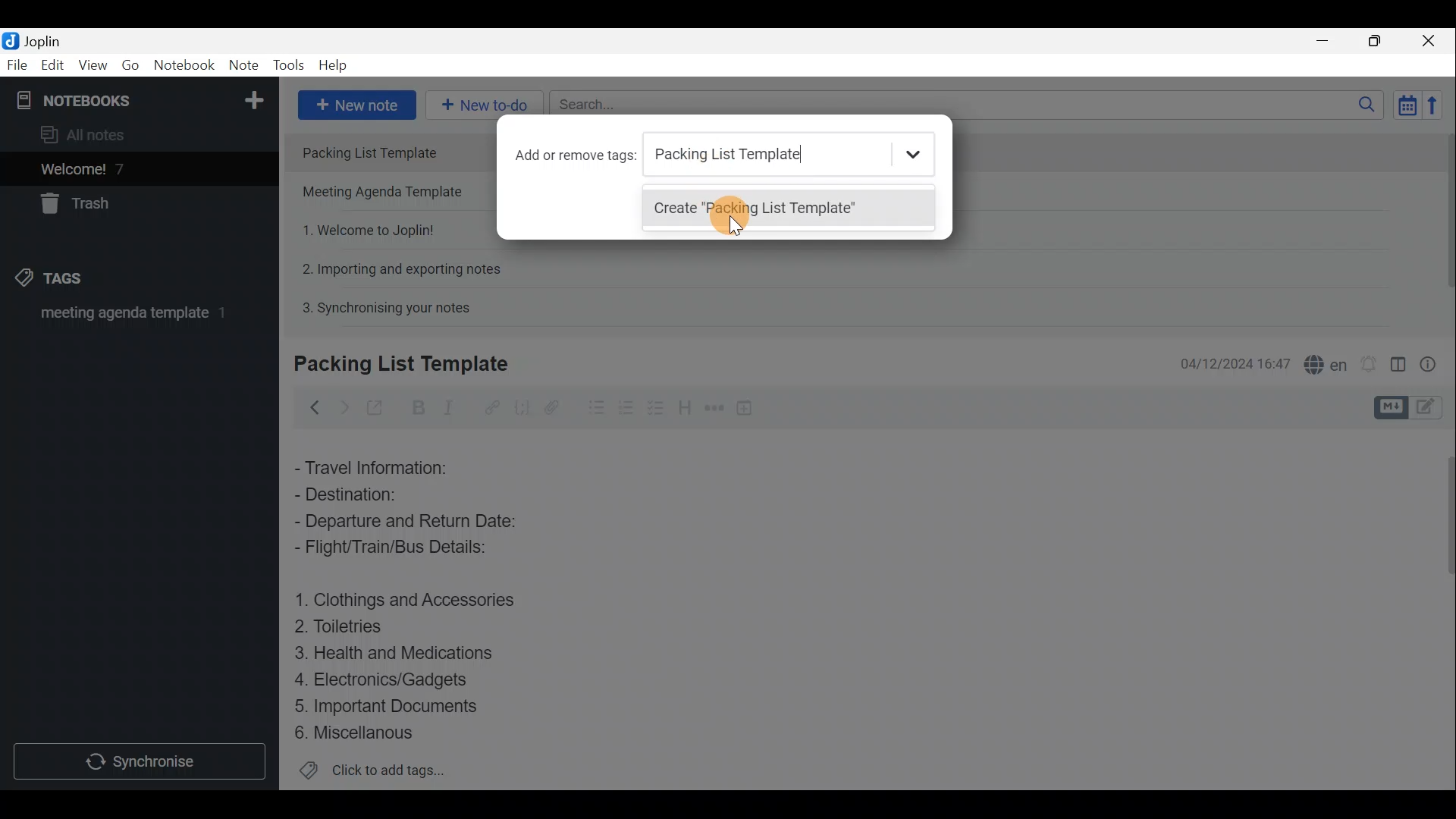  Describe the element at coordinates (1380, 41) in the screenshot. I see `Maximise` at that location.